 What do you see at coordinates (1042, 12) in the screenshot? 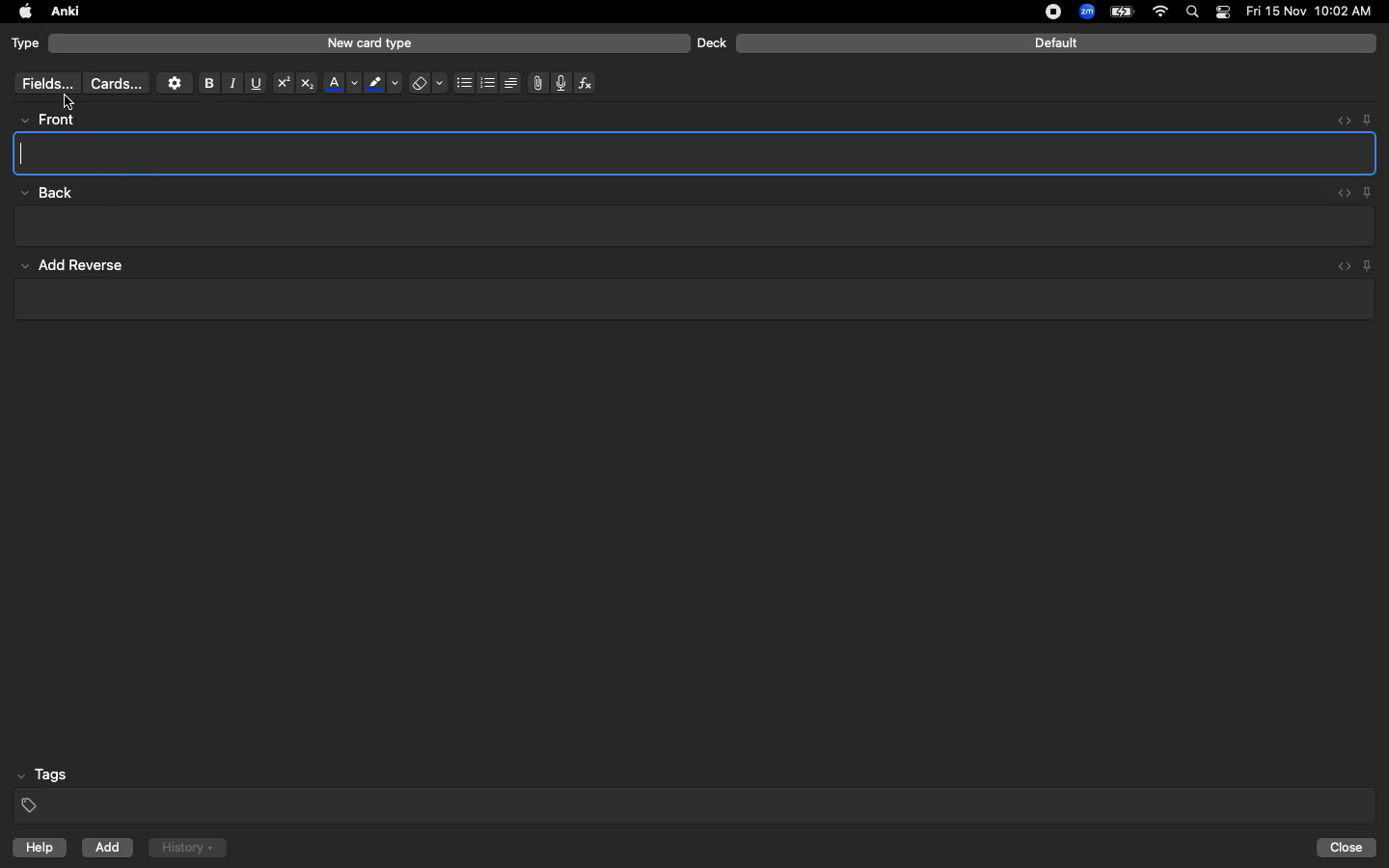
I see `recording` at bounding box center [1042, 12].